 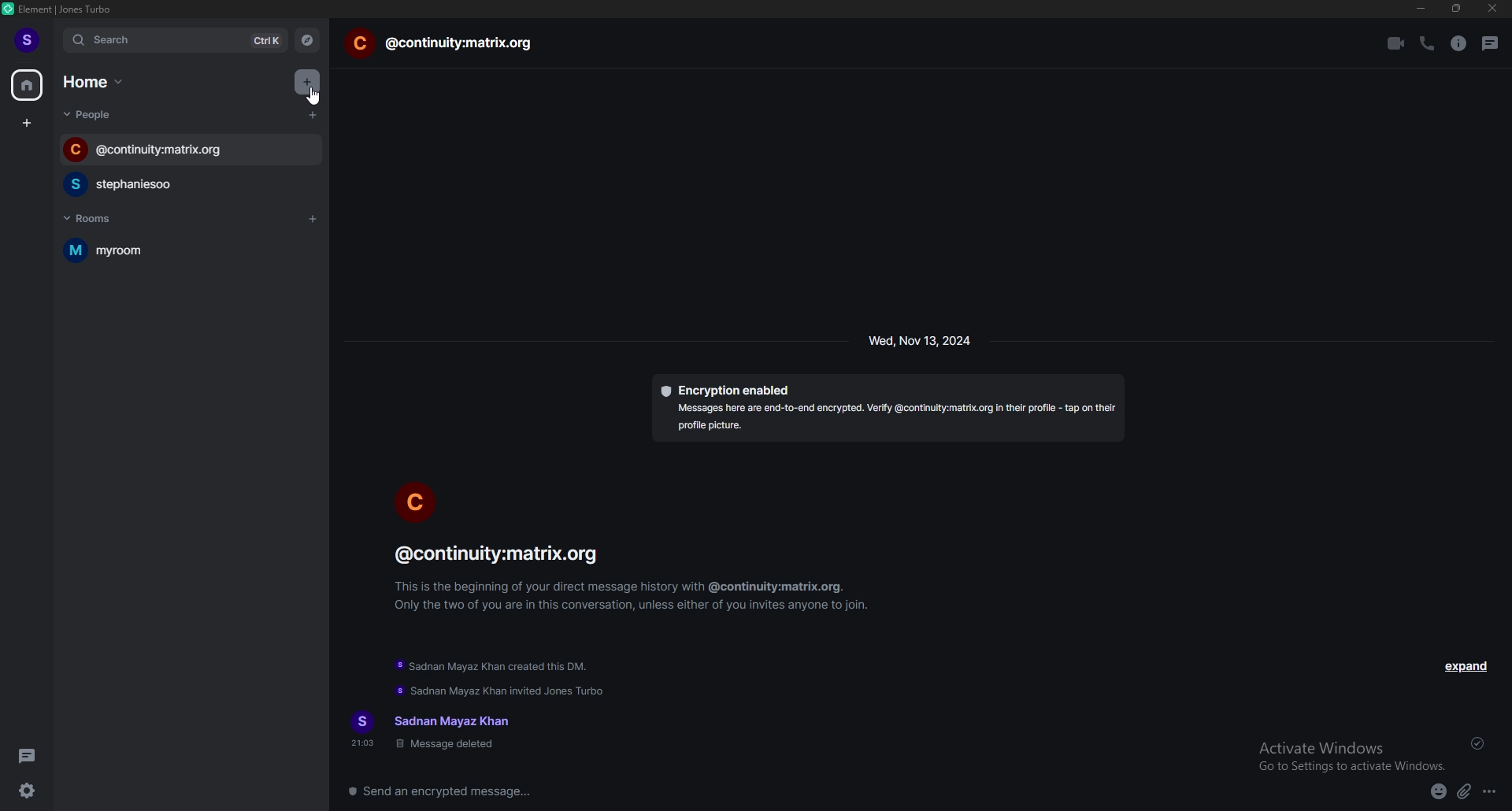 I want to click on attachment, so click(x=1464, y=792).